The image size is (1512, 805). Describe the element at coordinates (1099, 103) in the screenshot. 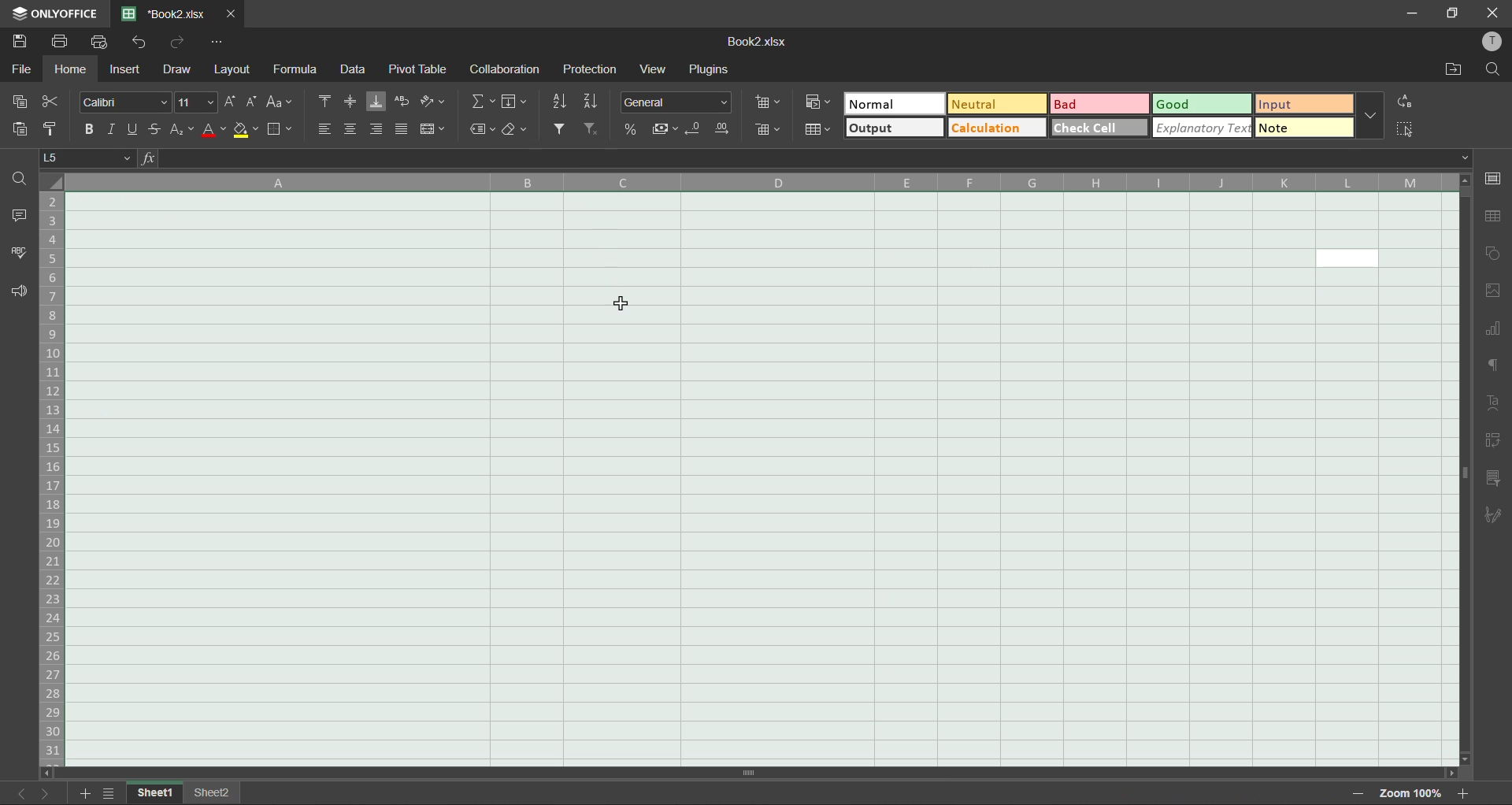

I see `bad` at that location.